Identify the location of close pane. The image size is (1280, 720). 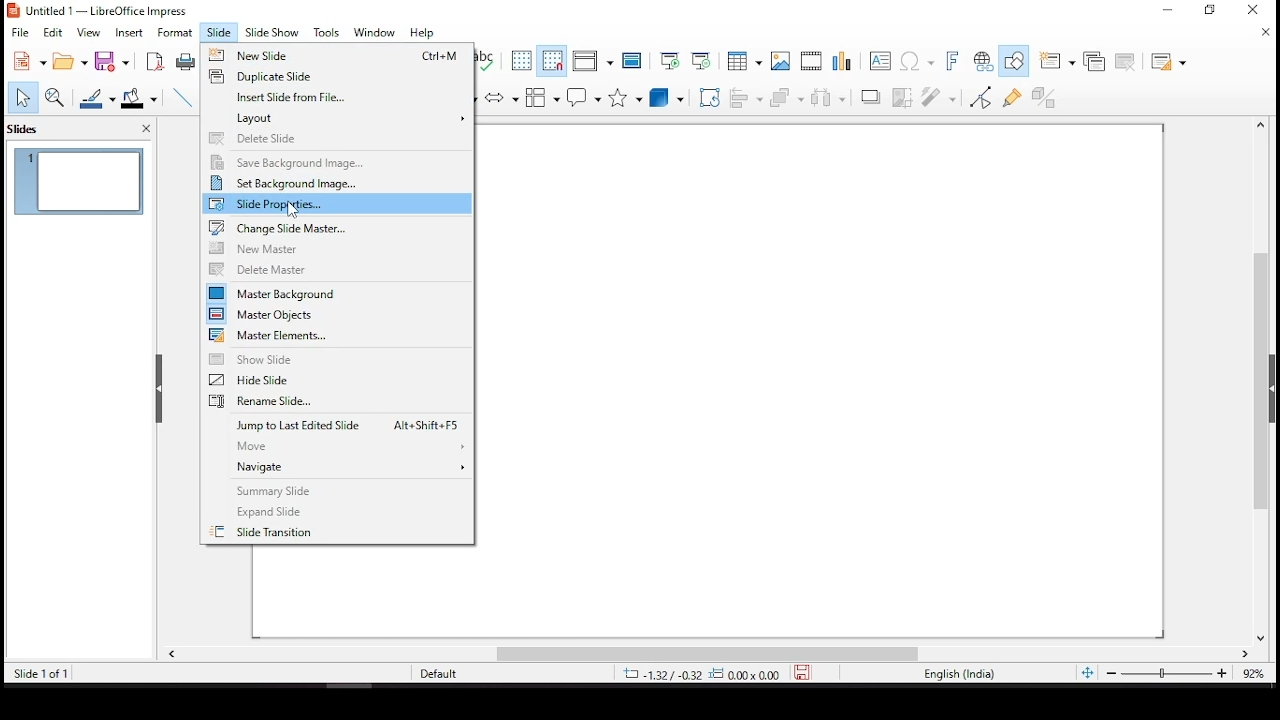
(160, 388).